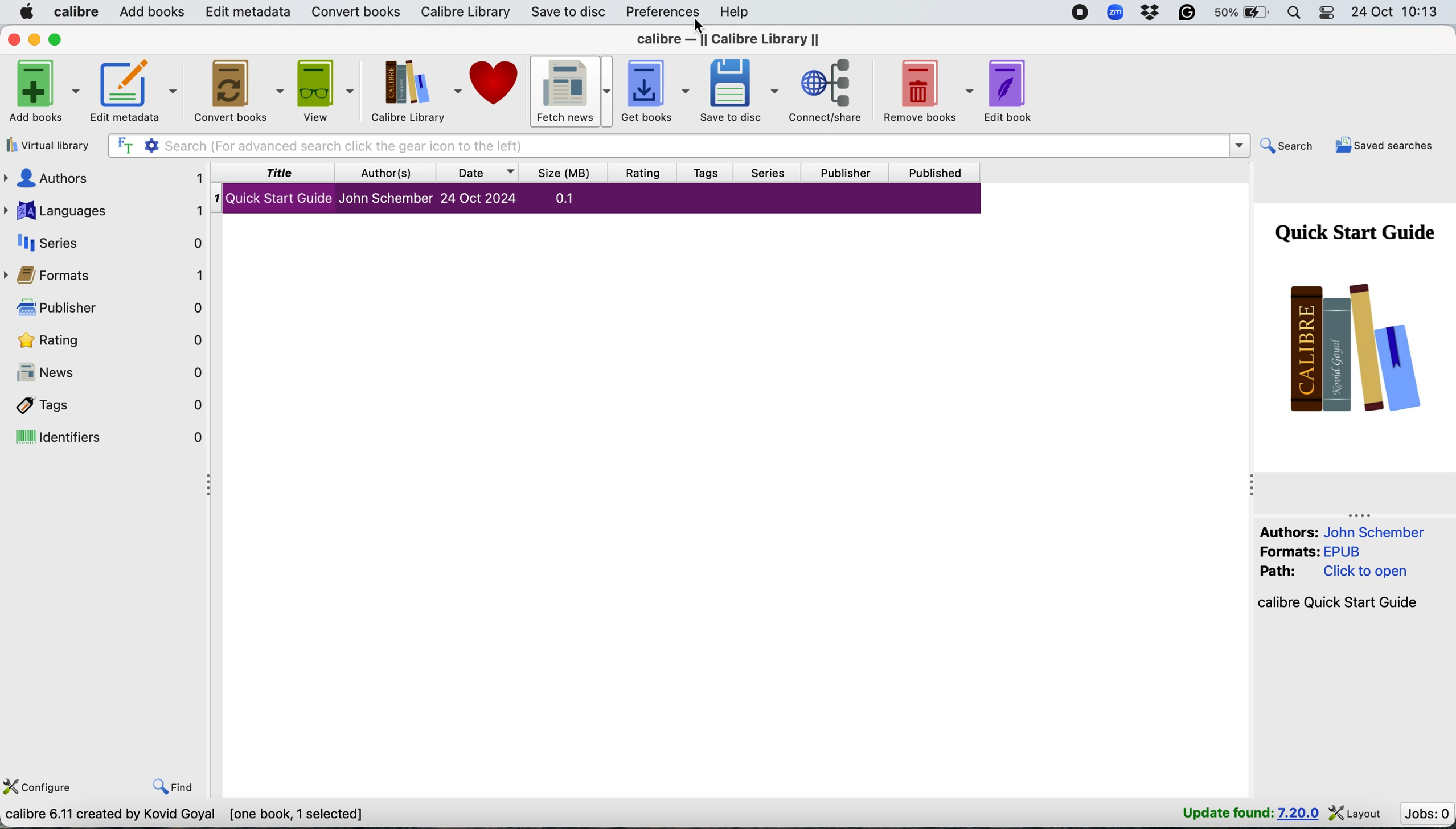 The image size is (1456, 829). Describe the element at coordinates (1243, 14) in the screenshot. I see `battery` at that location.